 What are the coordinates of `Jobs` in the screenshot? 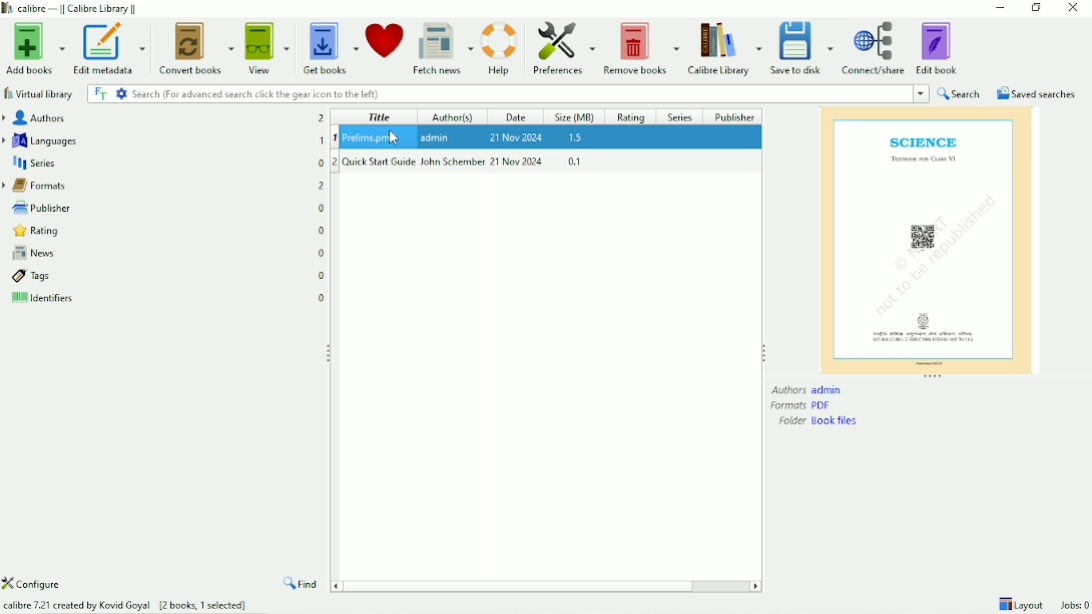 It's located at (1075, 605).